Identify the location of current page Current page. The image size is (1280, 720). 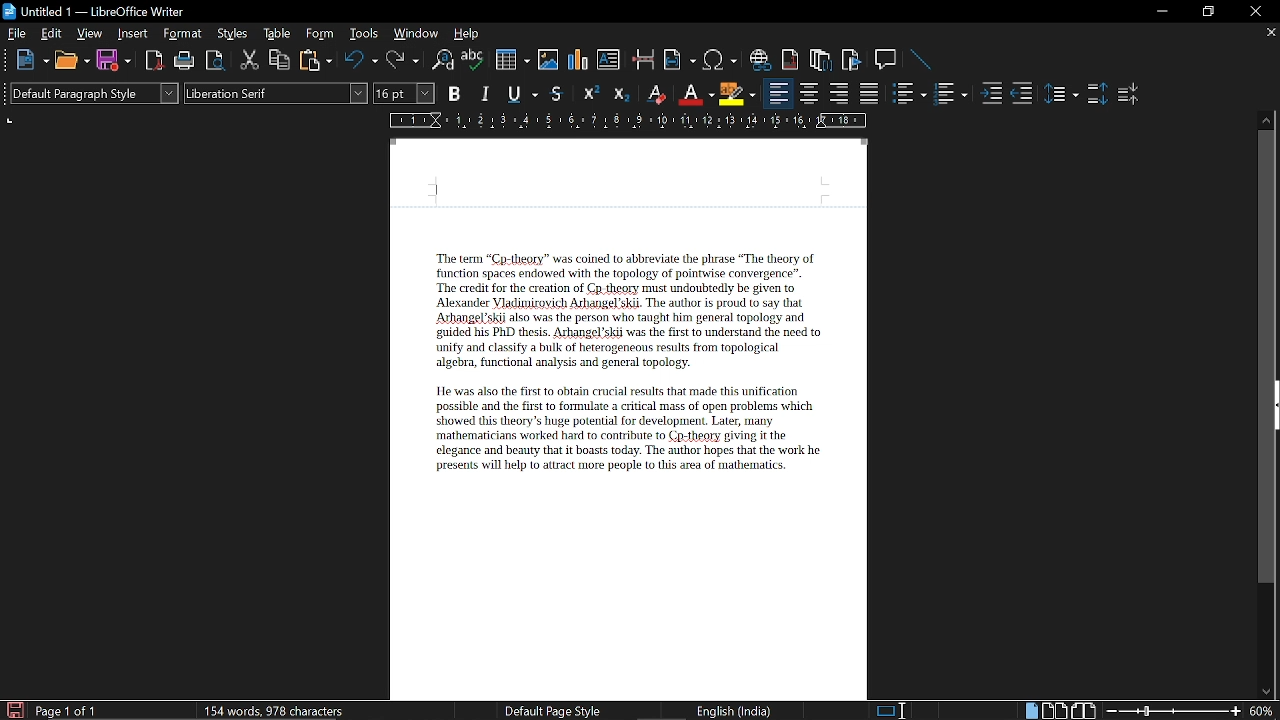
(66, 711).